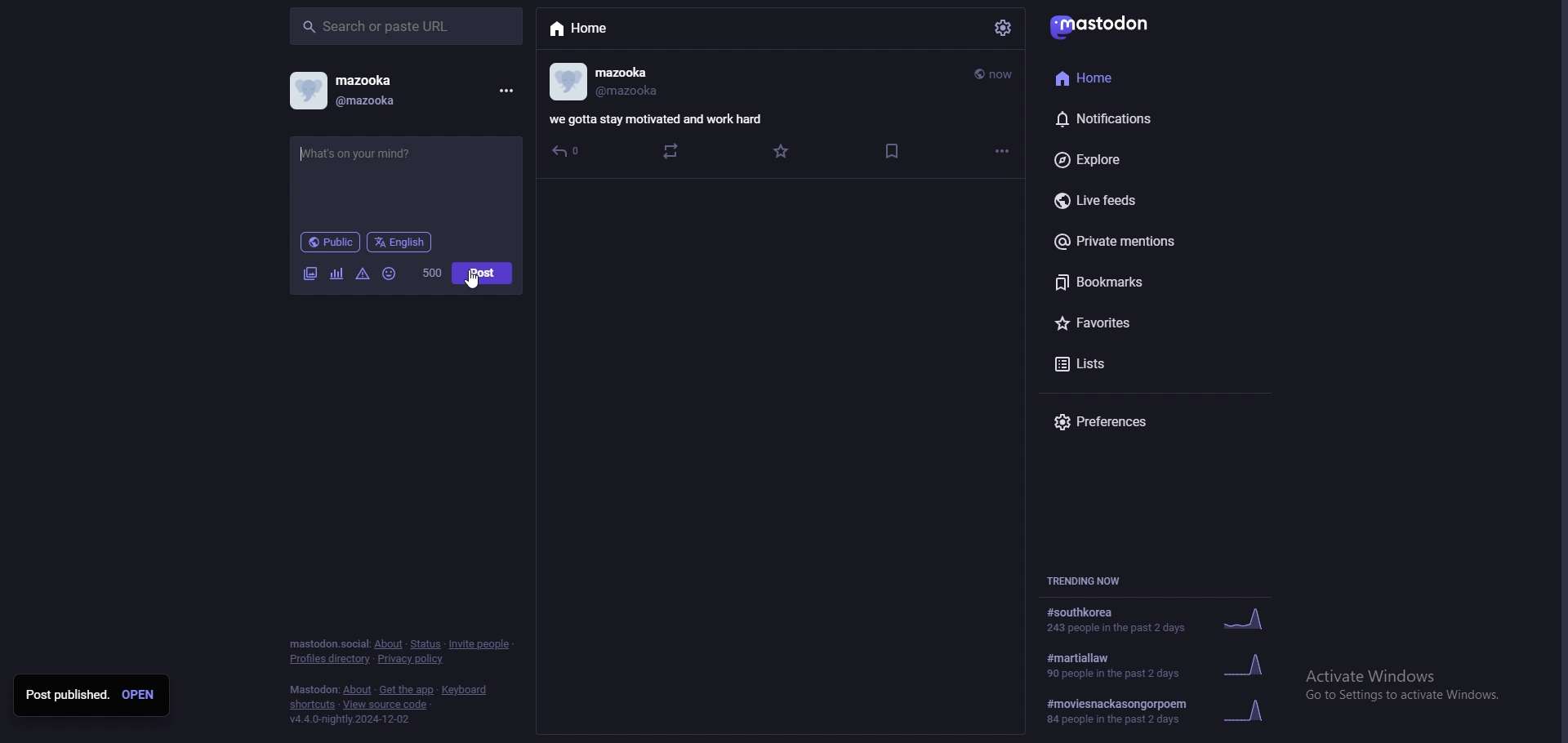 Image resolution: width=1568 pixels, height=743 pixels. Describe the element at coordinates (995, 74) in the screenshot. I see `time` at that location.